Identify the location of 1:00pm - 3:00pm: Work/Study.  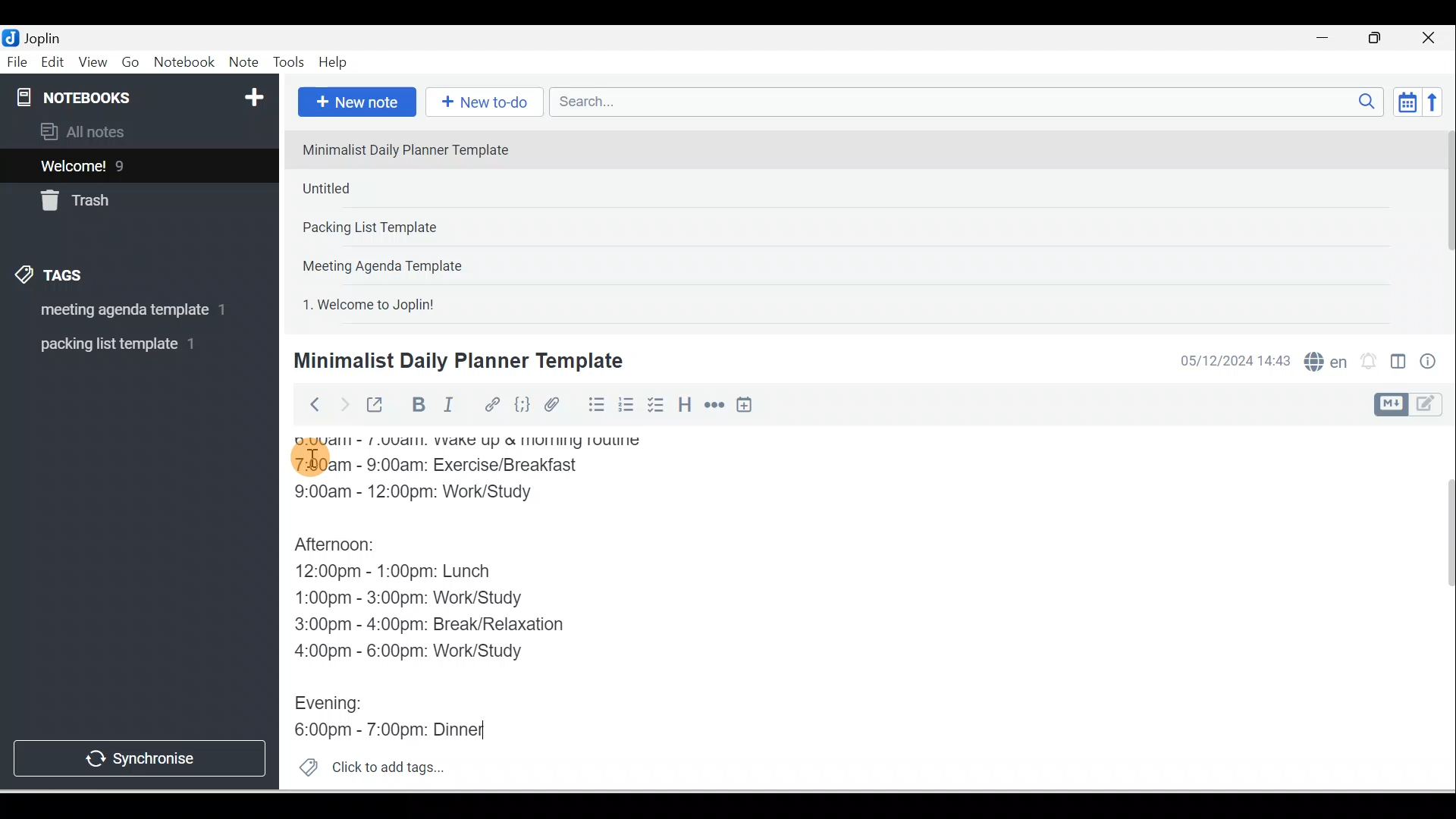
(411, 598).